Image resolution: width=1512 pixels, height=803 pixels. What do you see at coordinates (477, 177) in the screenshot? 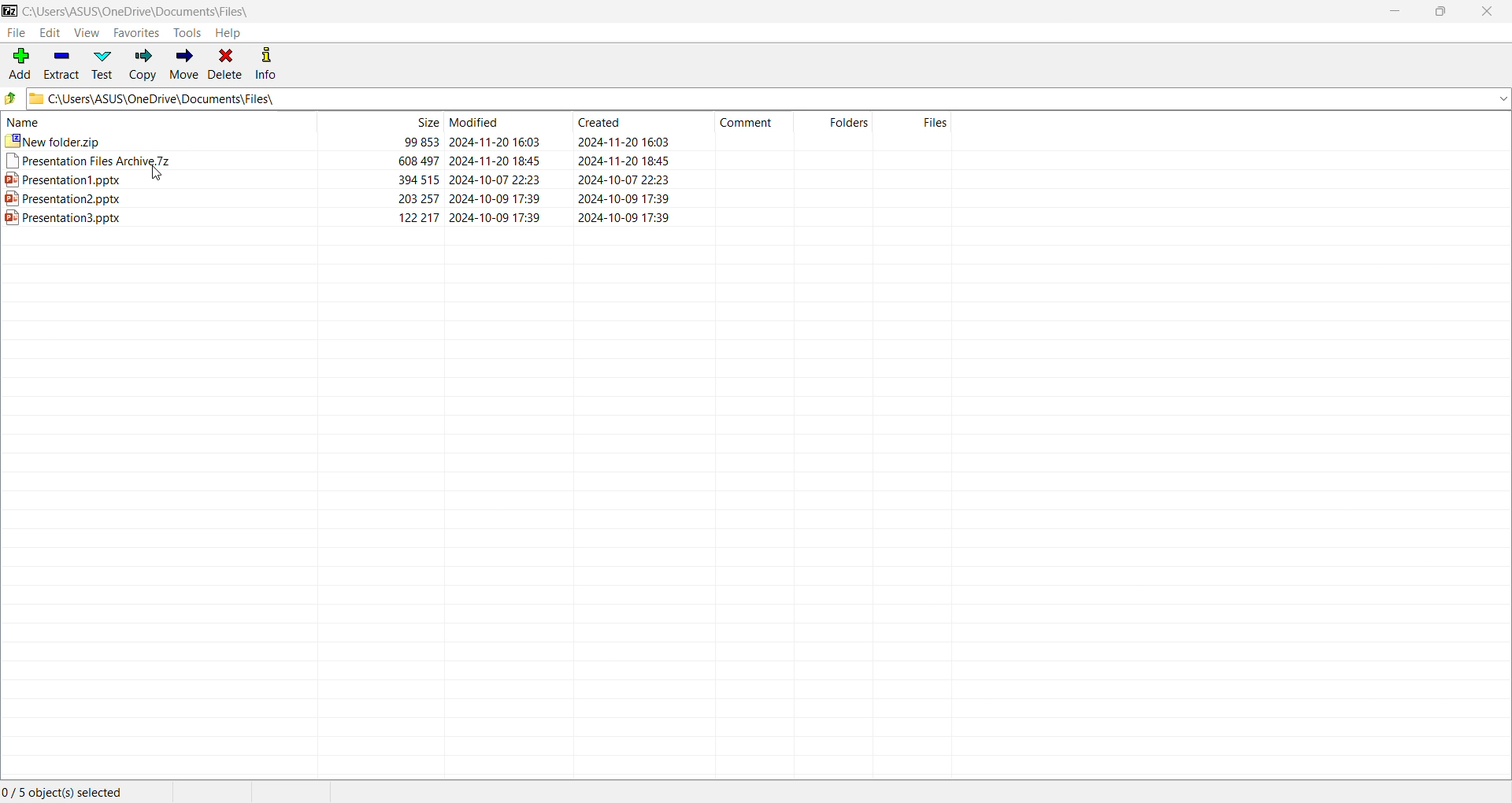
I see `ppt1` at bounding box center [477, 177].